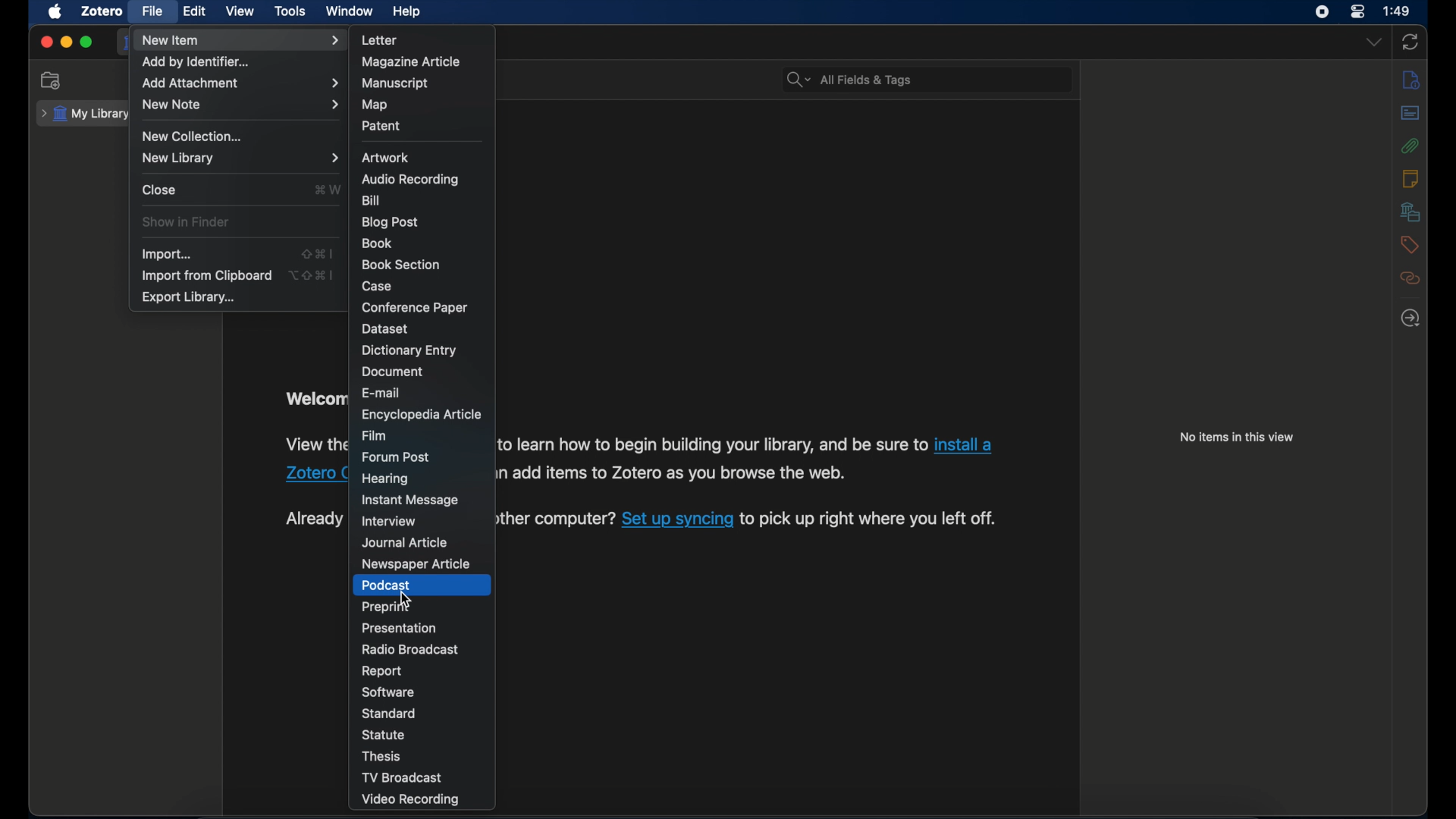 This screenshot has height=819, width=1456. Describe the element at coordinates (190, 299) in the screenshot. I see `export library` at that location.